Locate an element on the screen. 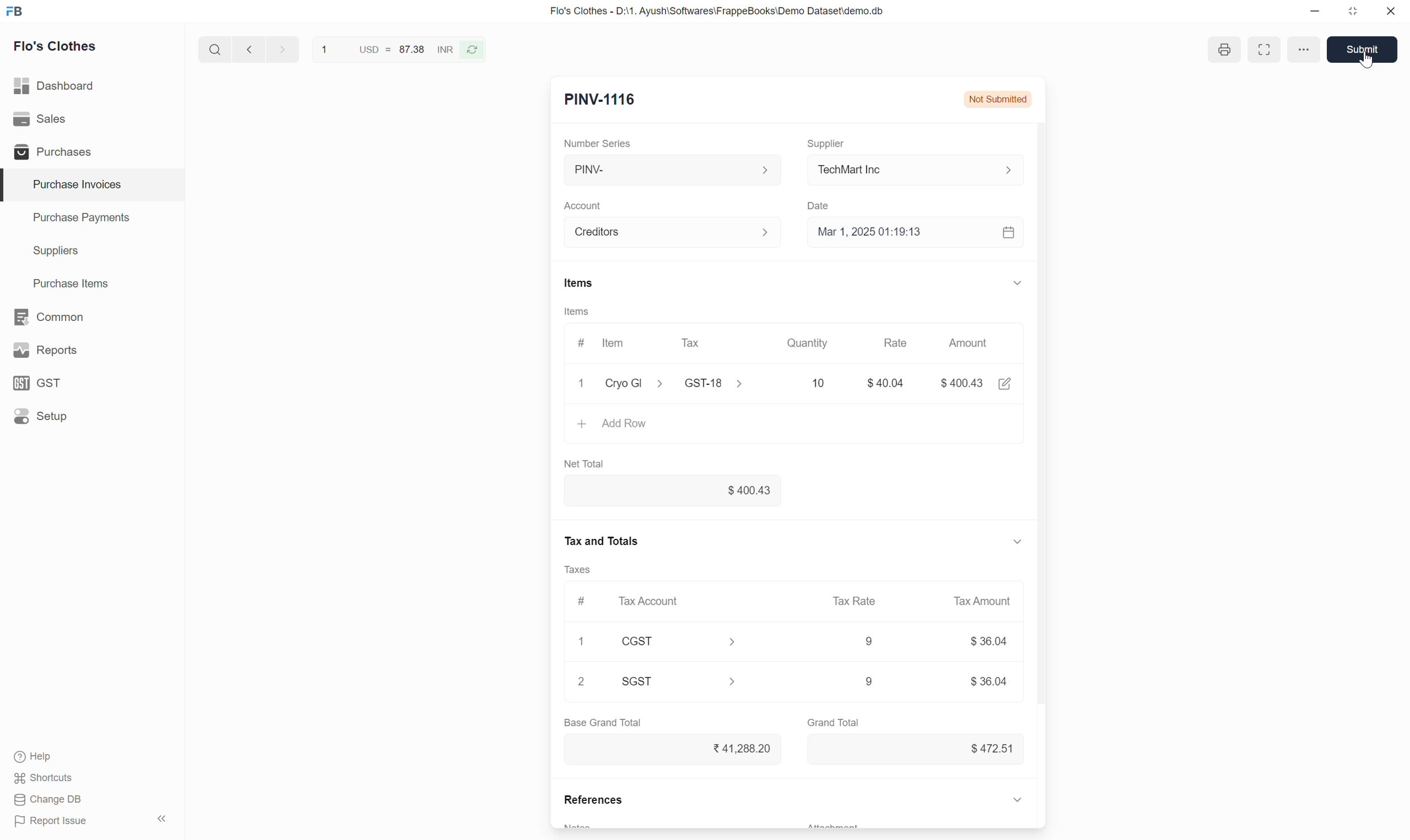 This screenshot has height=840, width=1410. $40.04 is located at coordinates (890, 383).